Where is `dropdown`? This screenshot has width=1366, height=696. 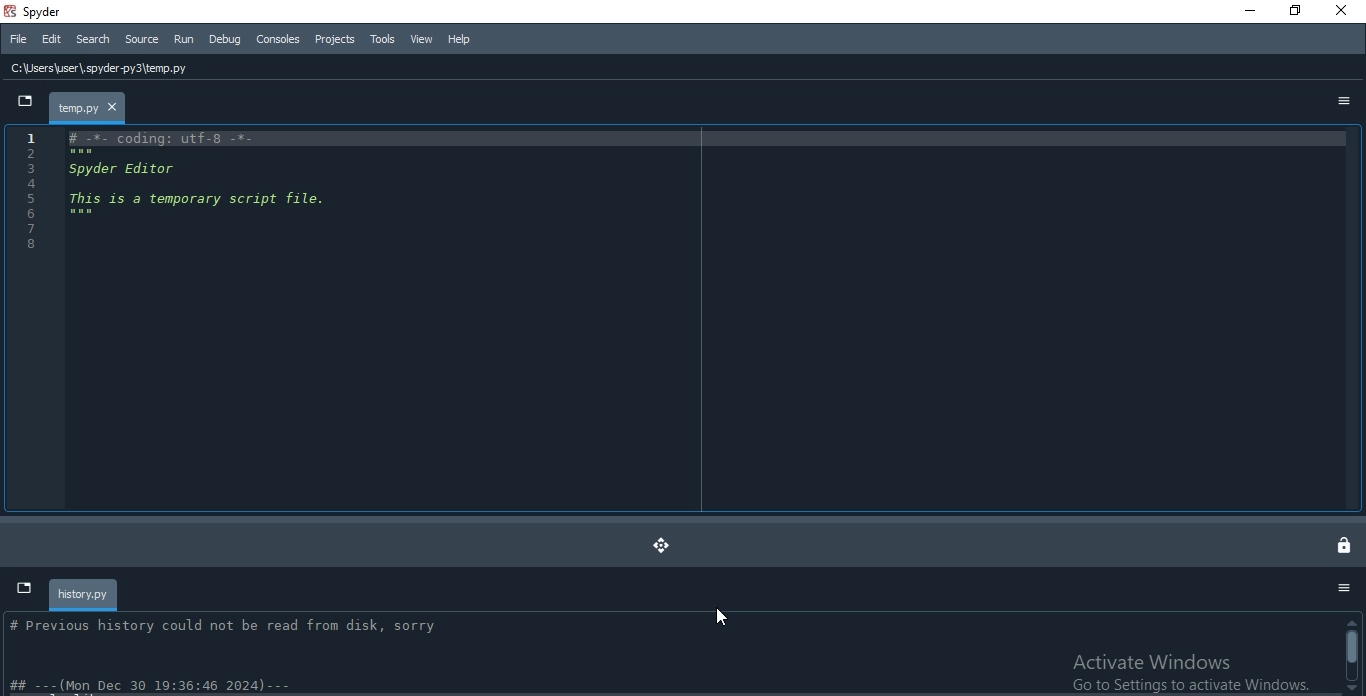 dropdown is located at coordinates (20, 101).